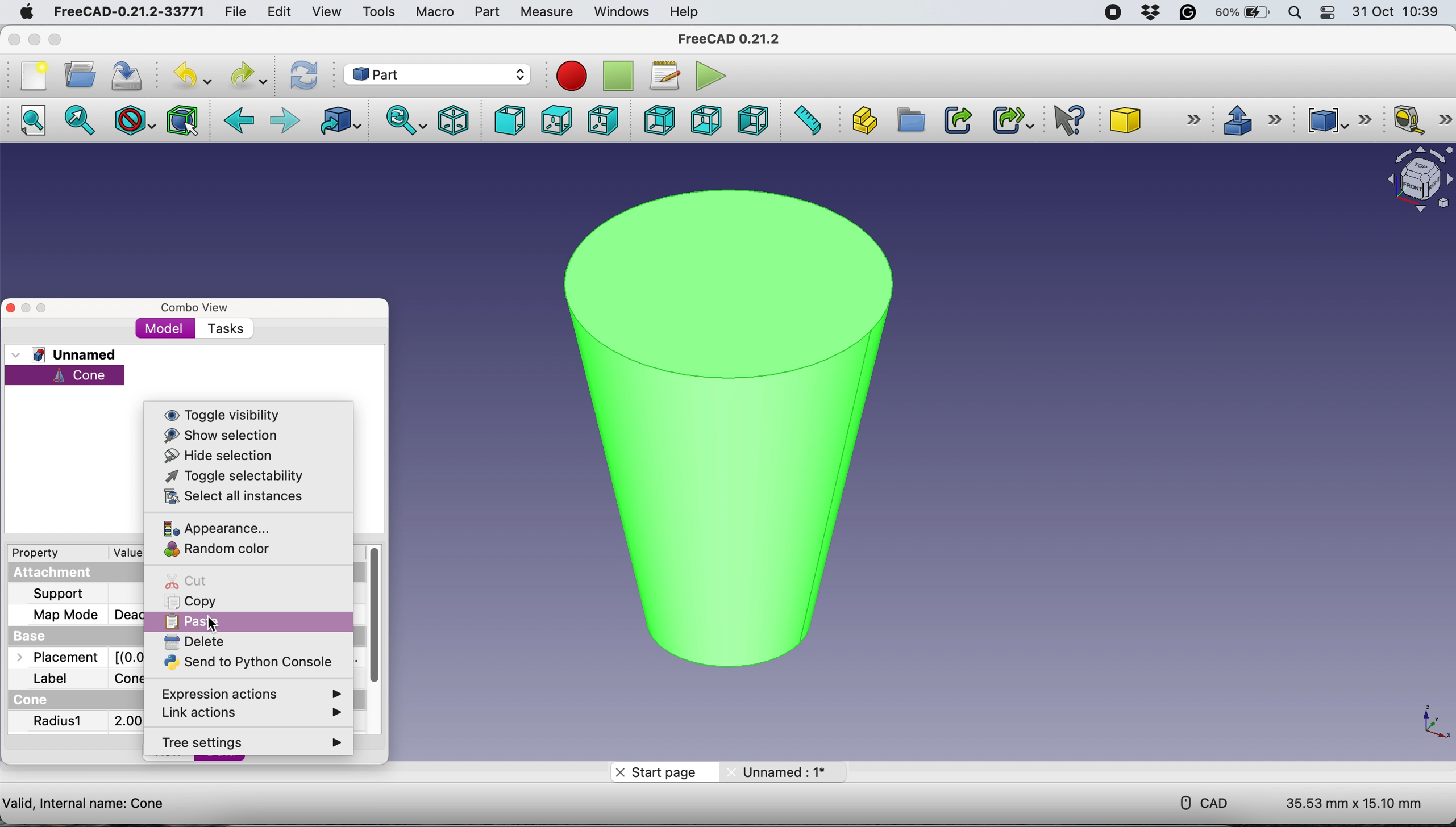 This screenshot has height=827, width=1456. What do you see at coordinates (30, 75) in the screenshot?
I see `new` at bounding box center [30, 75].